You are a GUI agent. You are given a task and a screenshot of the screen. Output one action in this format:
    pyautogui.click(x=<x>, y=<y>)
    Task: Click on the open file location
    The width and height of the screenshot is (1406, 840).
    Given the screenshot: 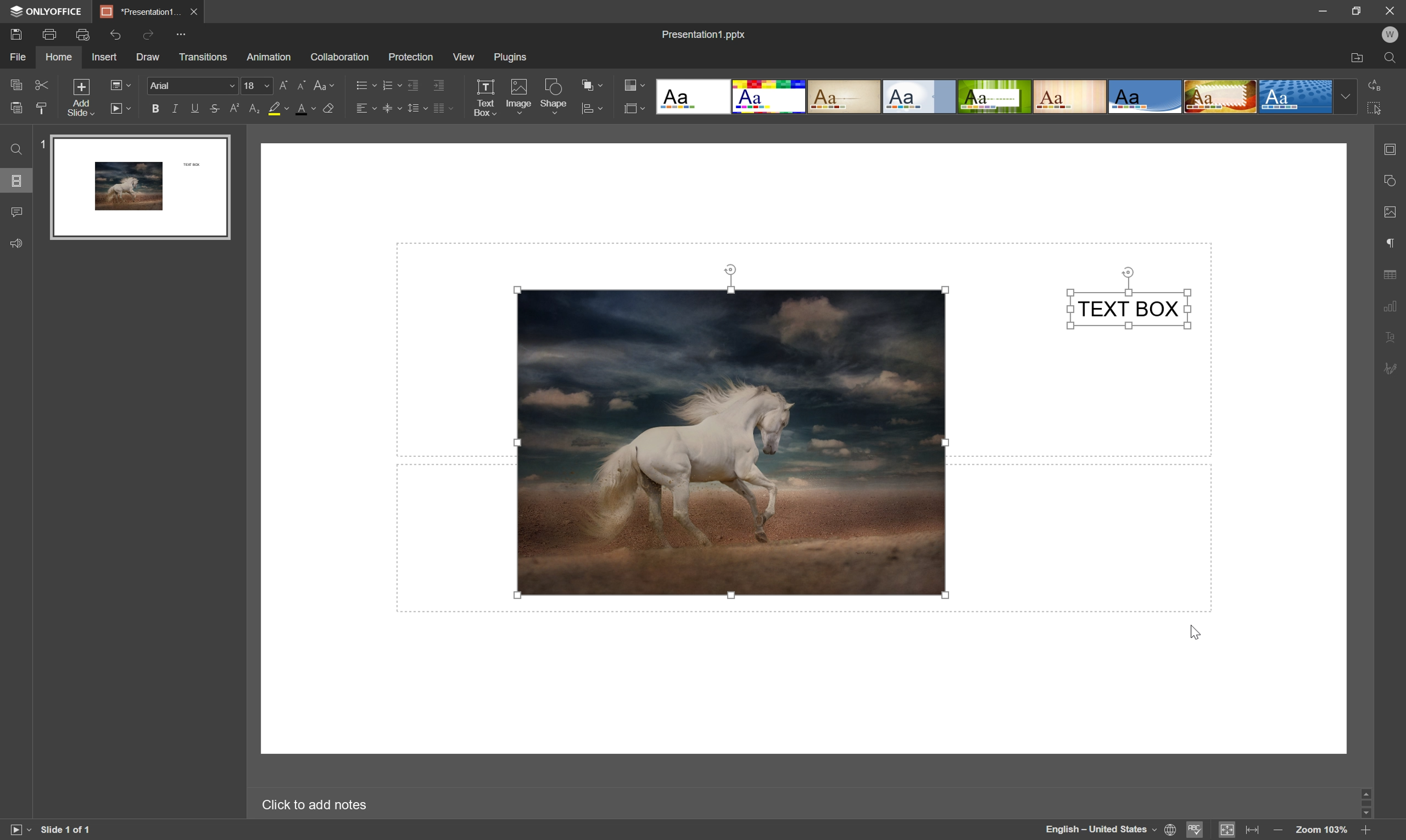 What is the action you would take?
    pyautogui.click(x=1358, y=59)
    